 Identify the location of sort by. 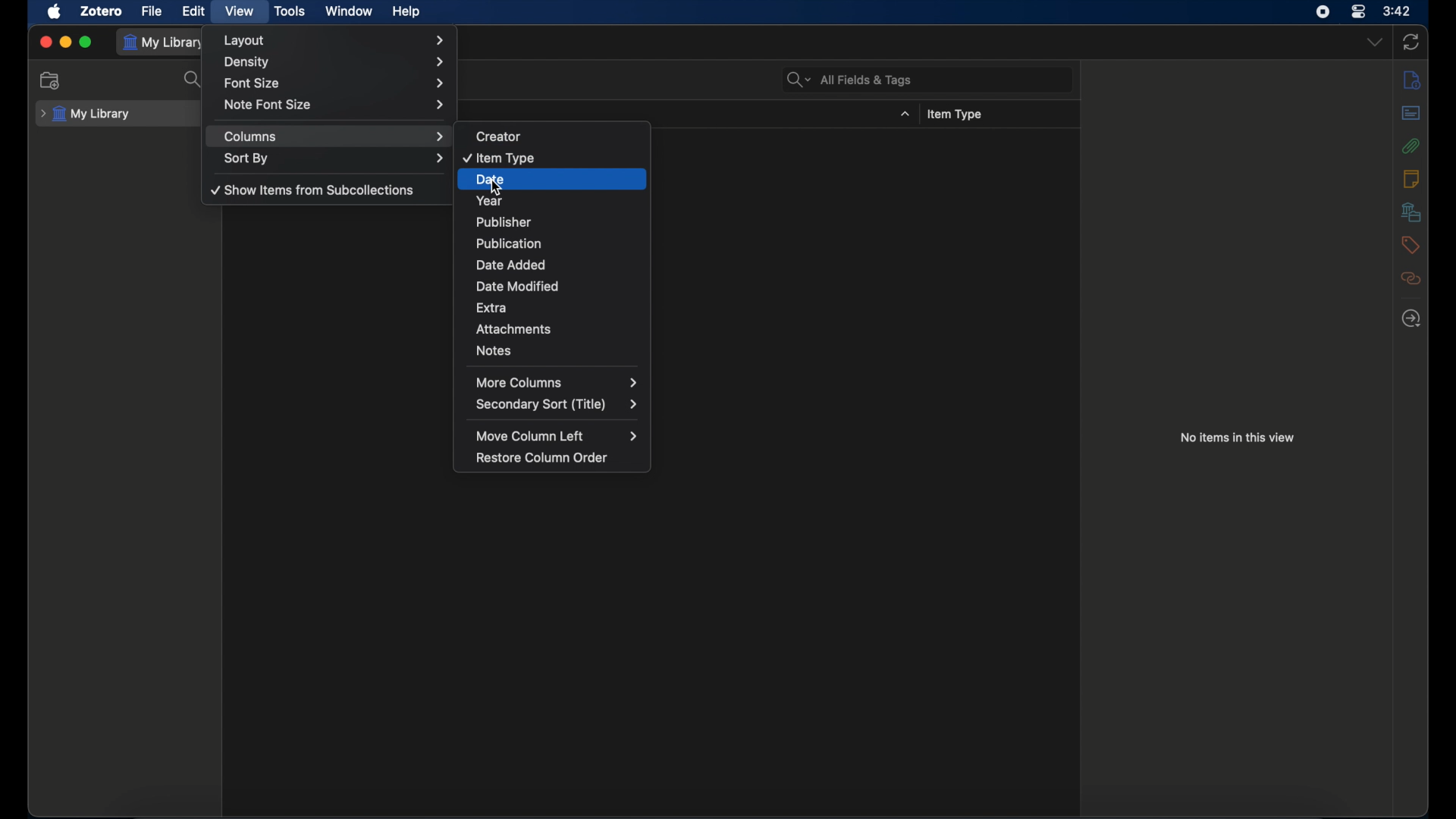
(334, 158).